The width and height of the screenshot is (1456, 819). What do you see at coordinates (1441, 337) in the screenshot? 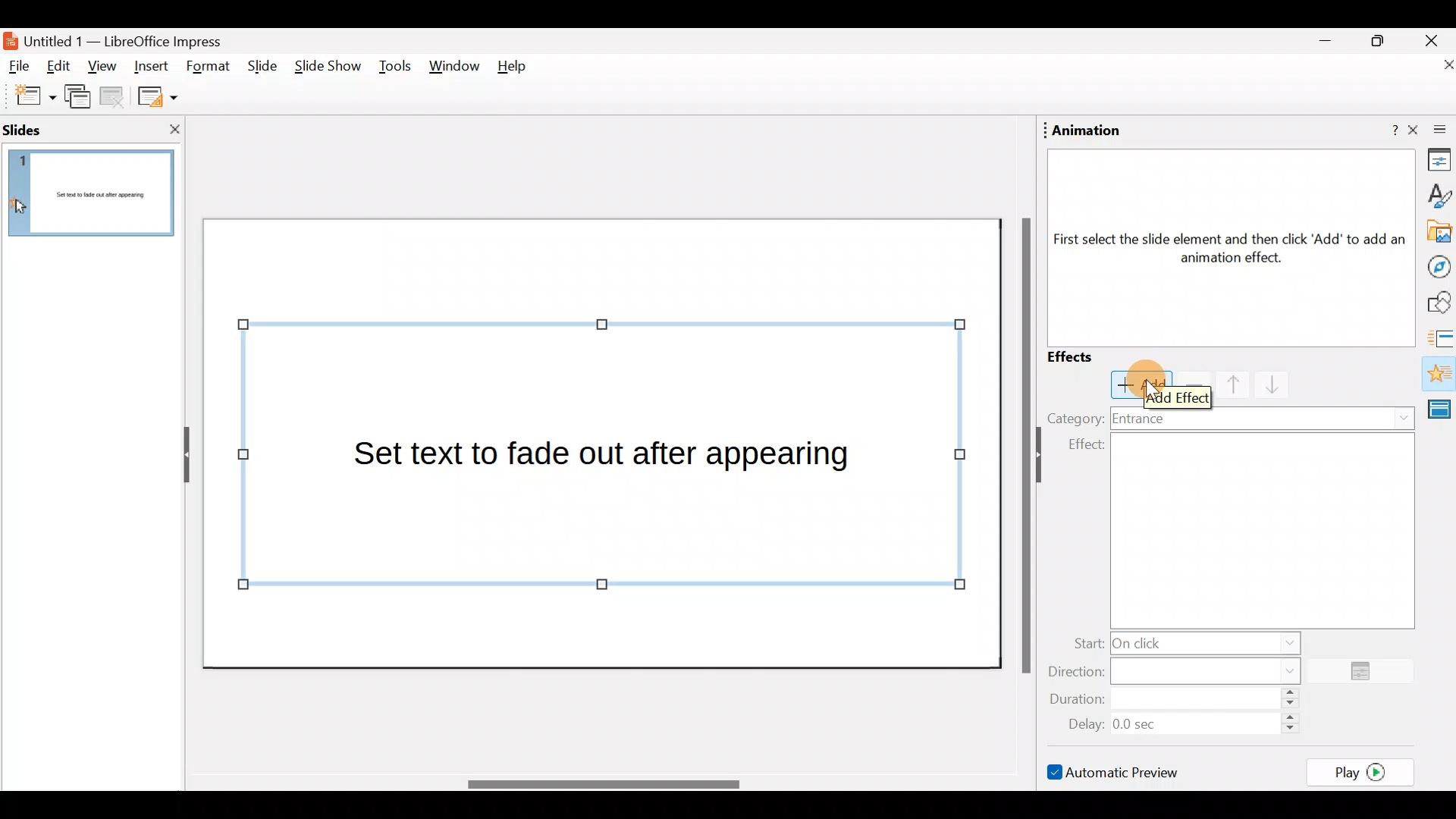
I see `Slides transition` at bounding box center [1441, 337].